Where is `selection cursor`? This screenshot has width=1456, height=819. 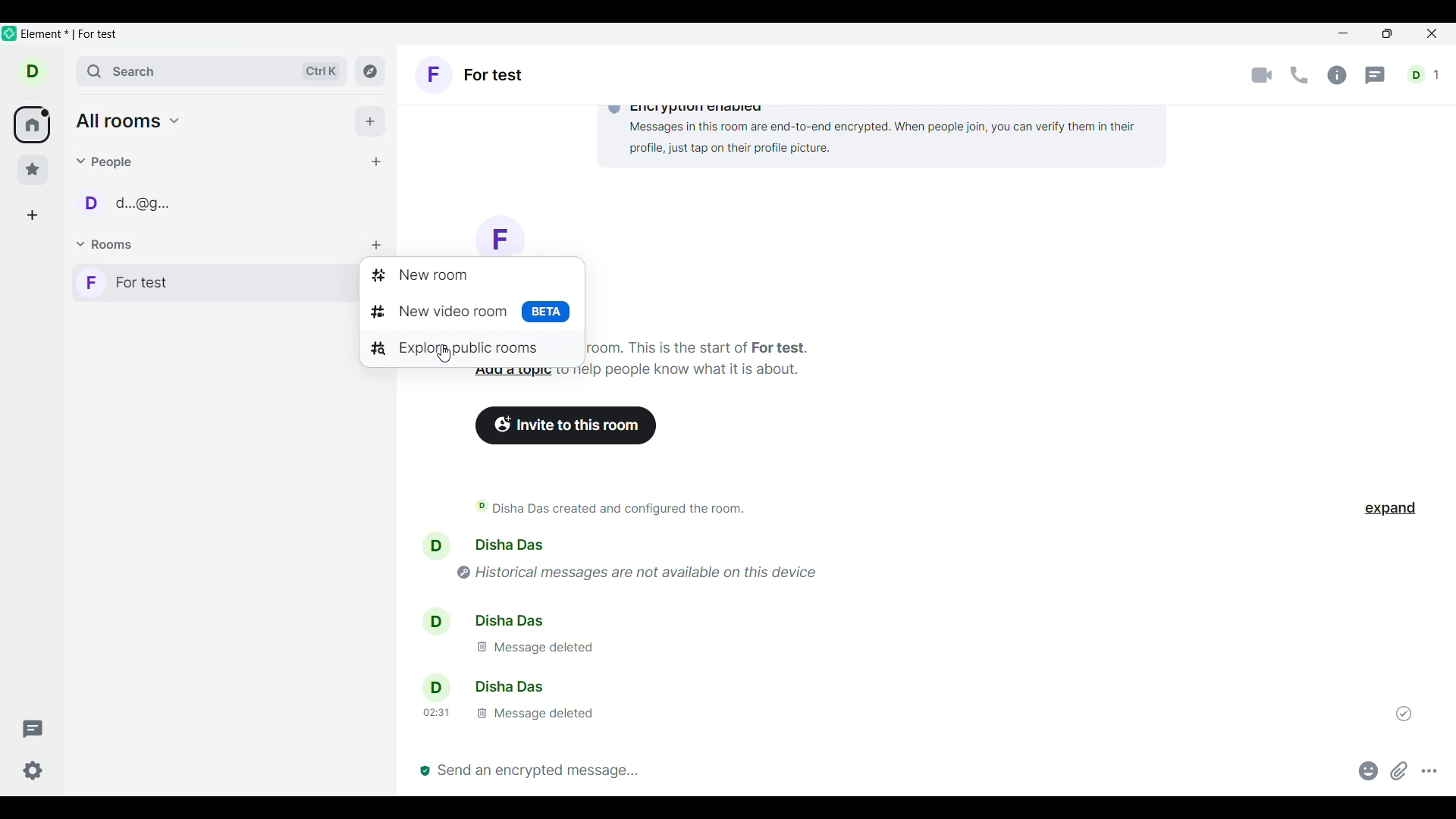
selection cursor is located at coordinates (442, 351).